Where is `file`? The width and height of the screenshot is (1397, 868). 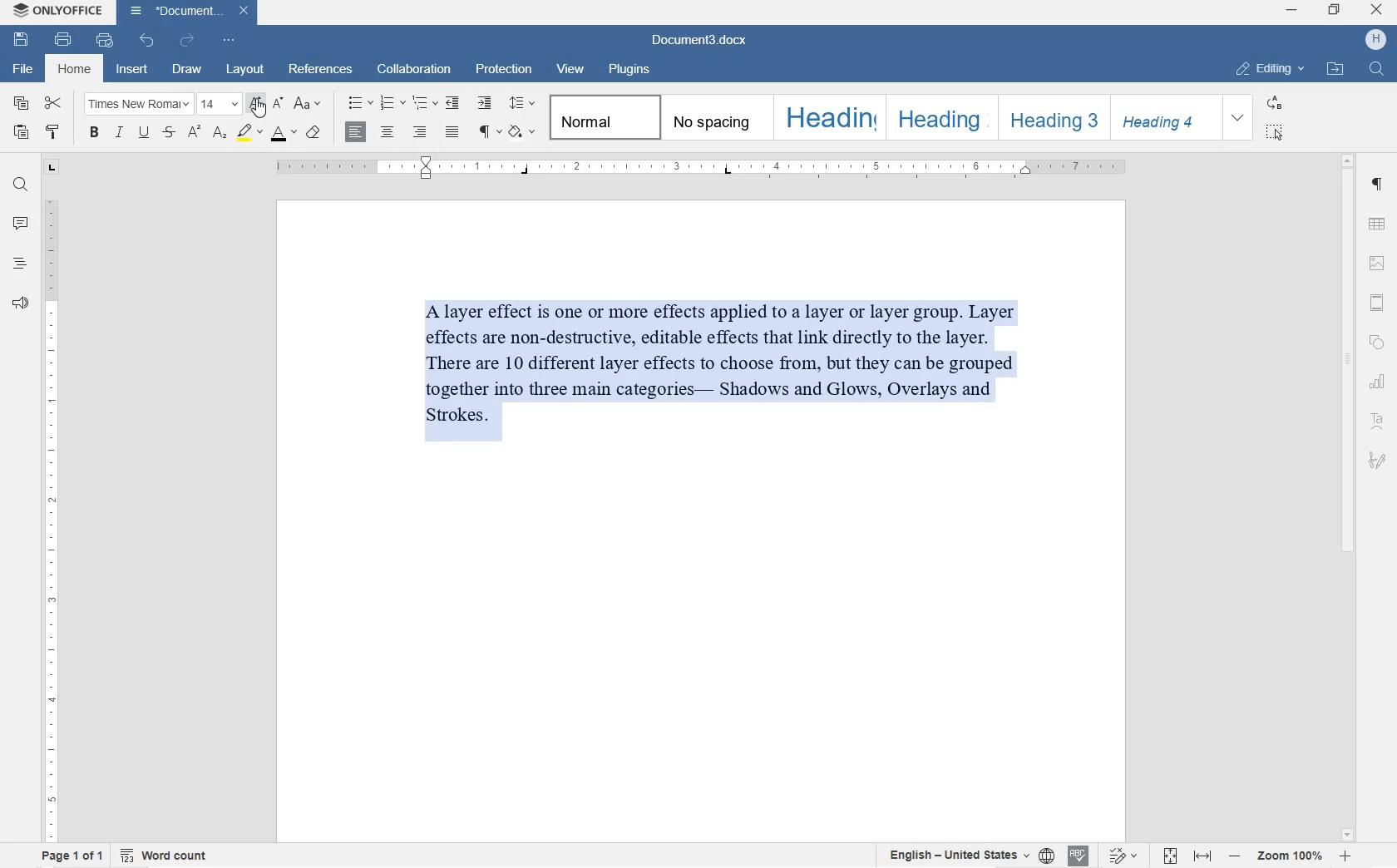
file is located at coordinates (19, 69).